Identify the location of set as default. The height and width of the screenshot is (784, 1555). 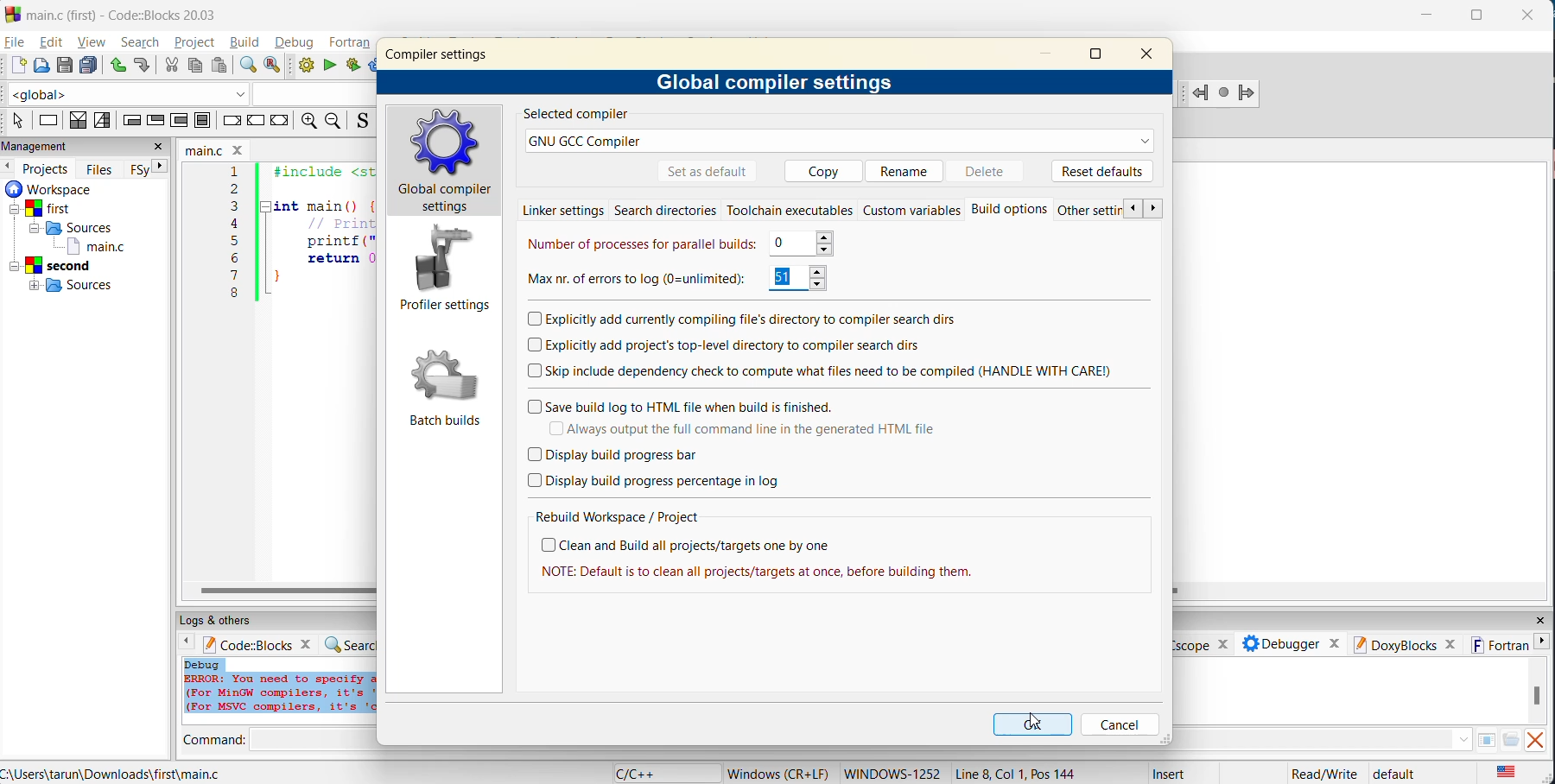
(708, 172).